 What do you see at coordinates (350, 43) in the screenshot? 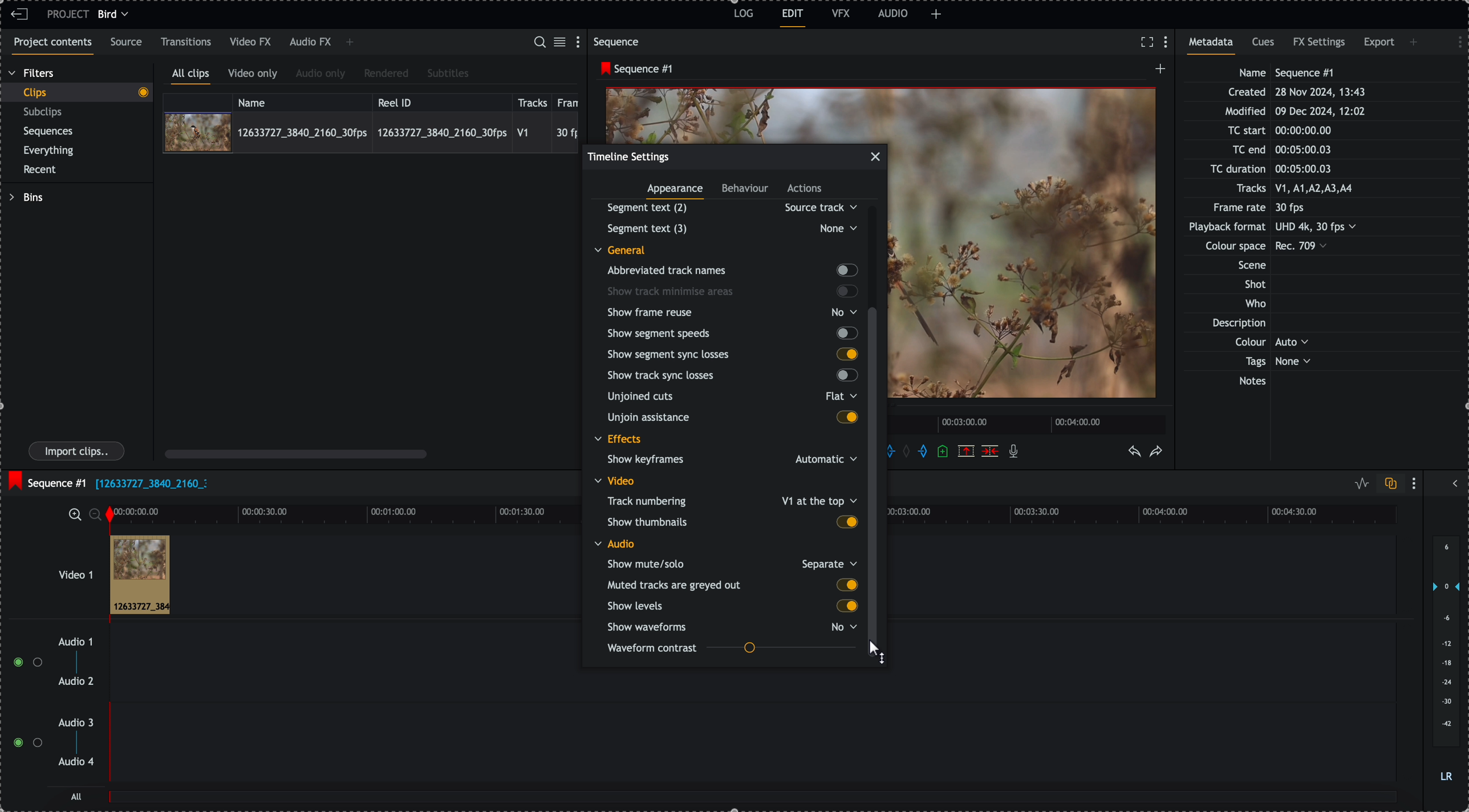
I see `add panel` at bounding box center [350, 43].